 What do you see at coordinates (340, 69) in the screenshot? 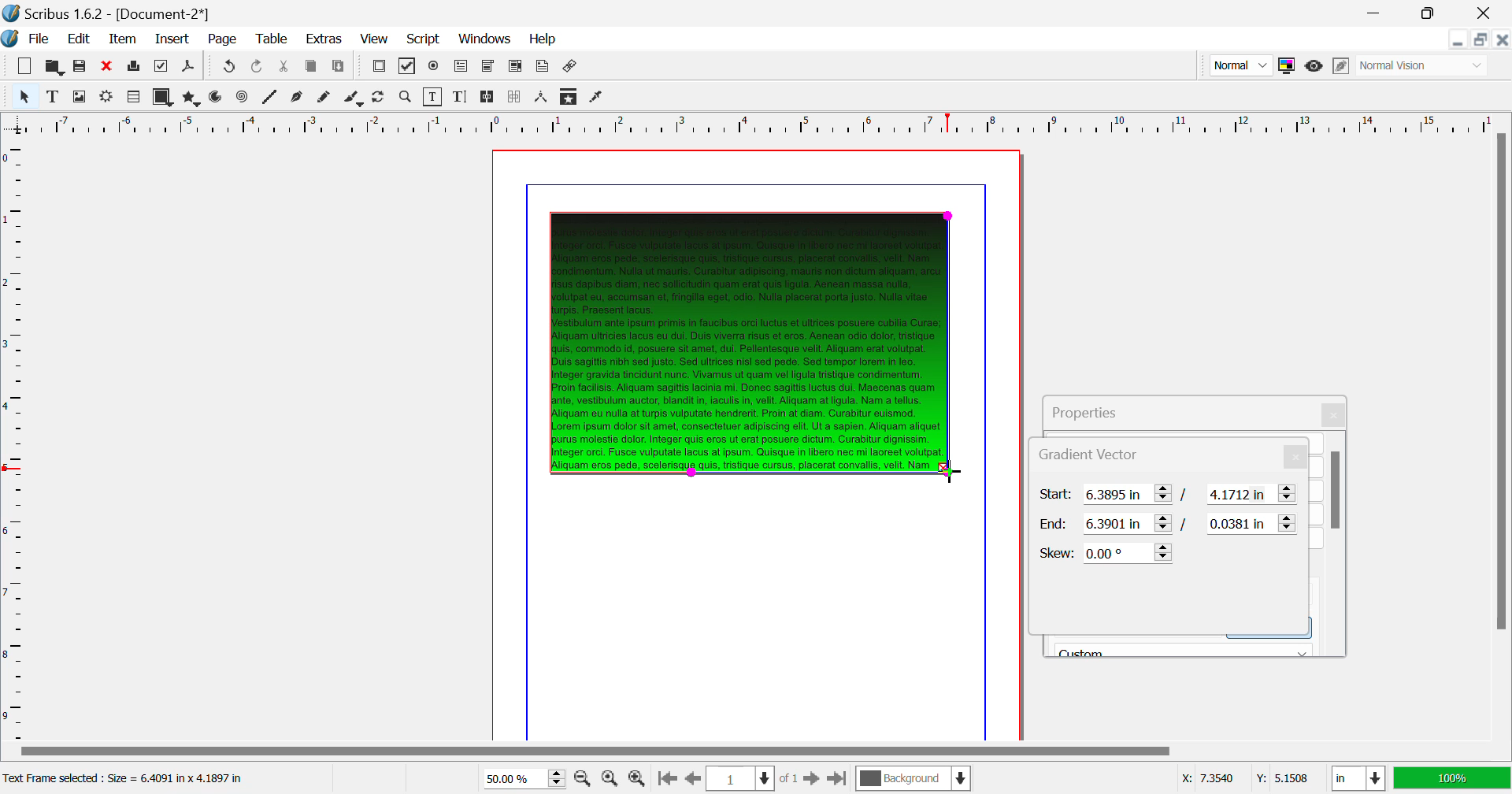
I see `Paste` at bounding box center [340, 69].